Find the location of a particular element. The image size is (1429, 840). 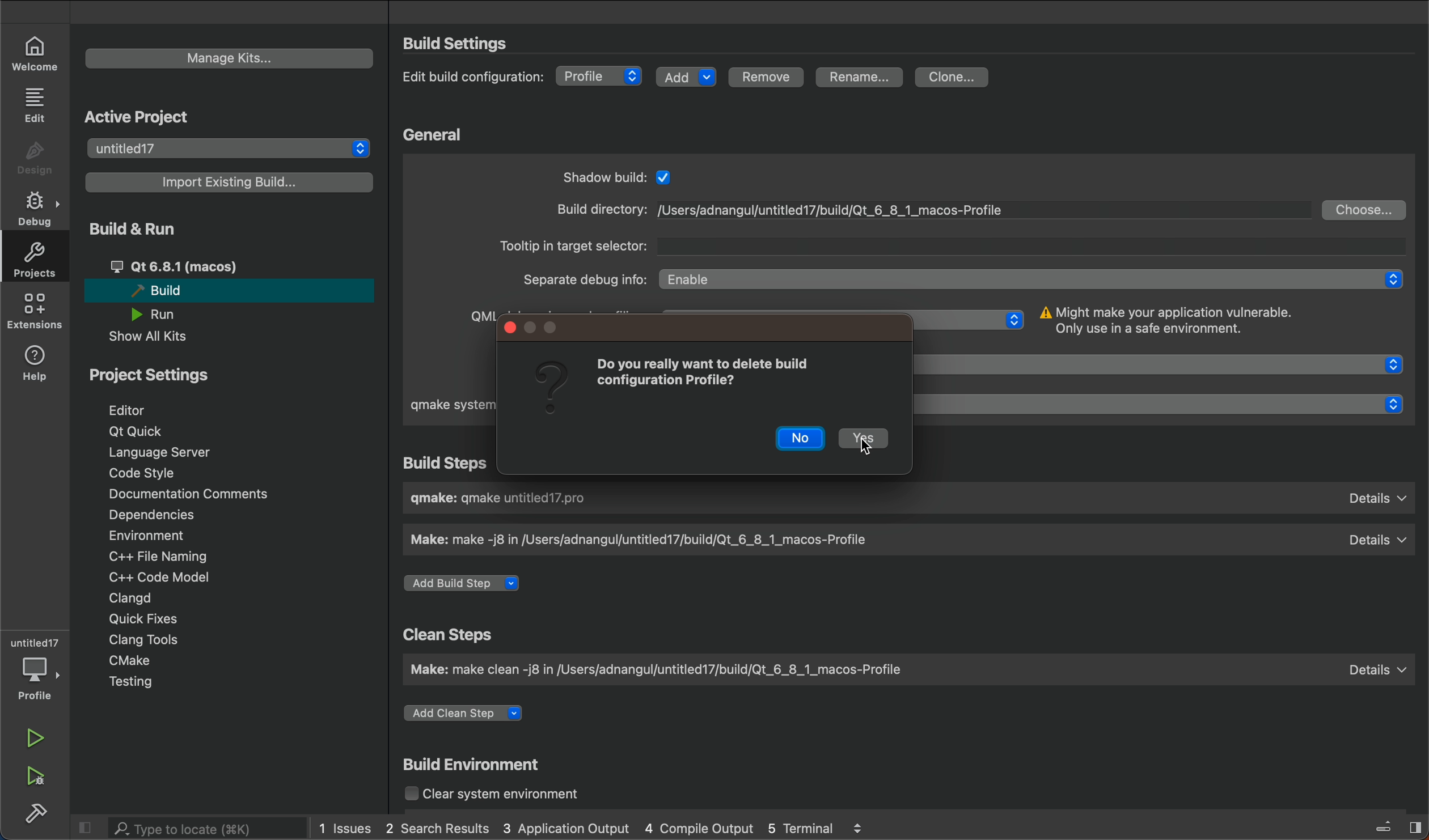

toggle sidebar is located at coordinates (1396, 825).